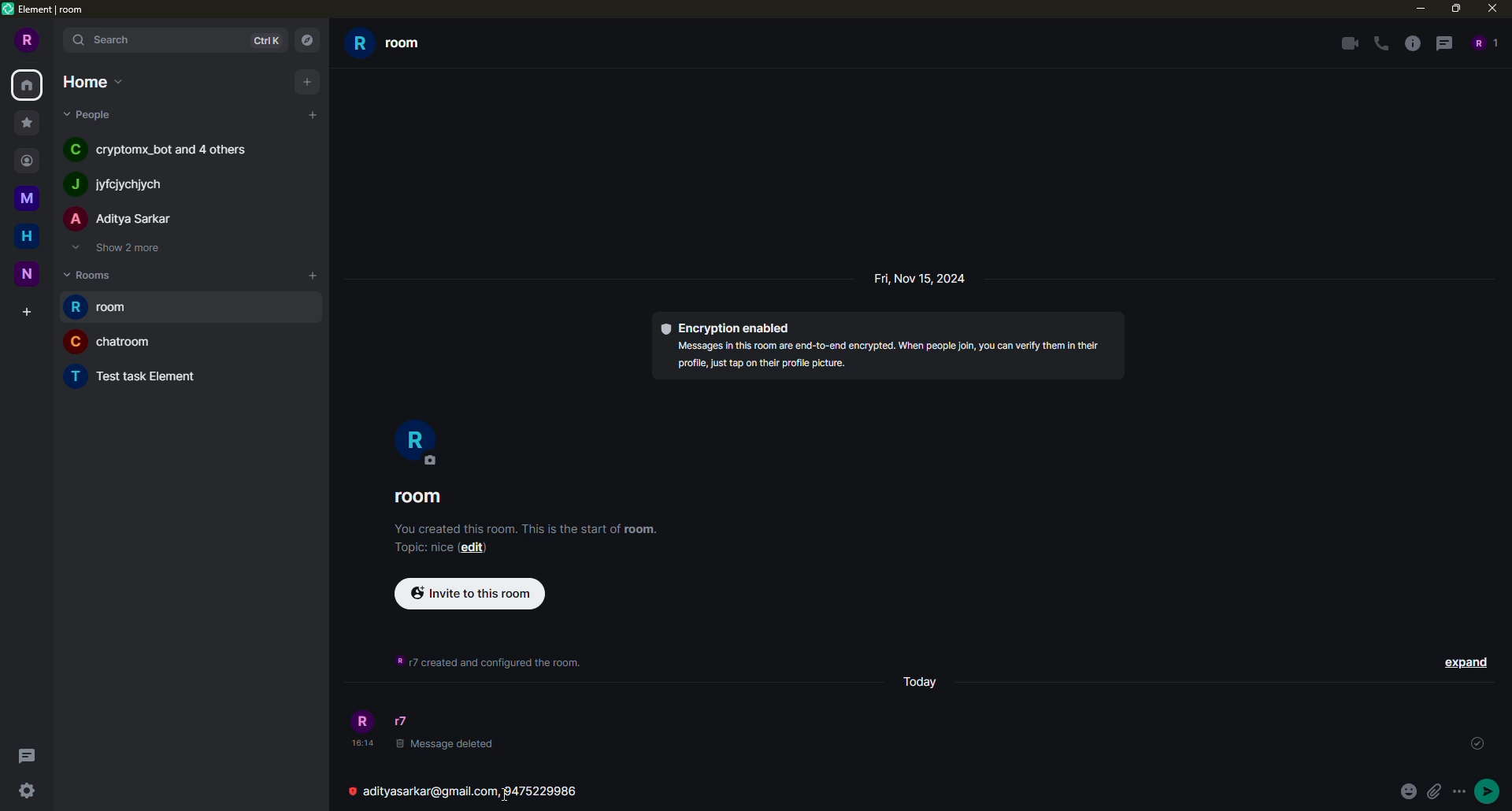  Describe the element at coordinates (421, 547) in the screenshot. I see `topic` at that location.